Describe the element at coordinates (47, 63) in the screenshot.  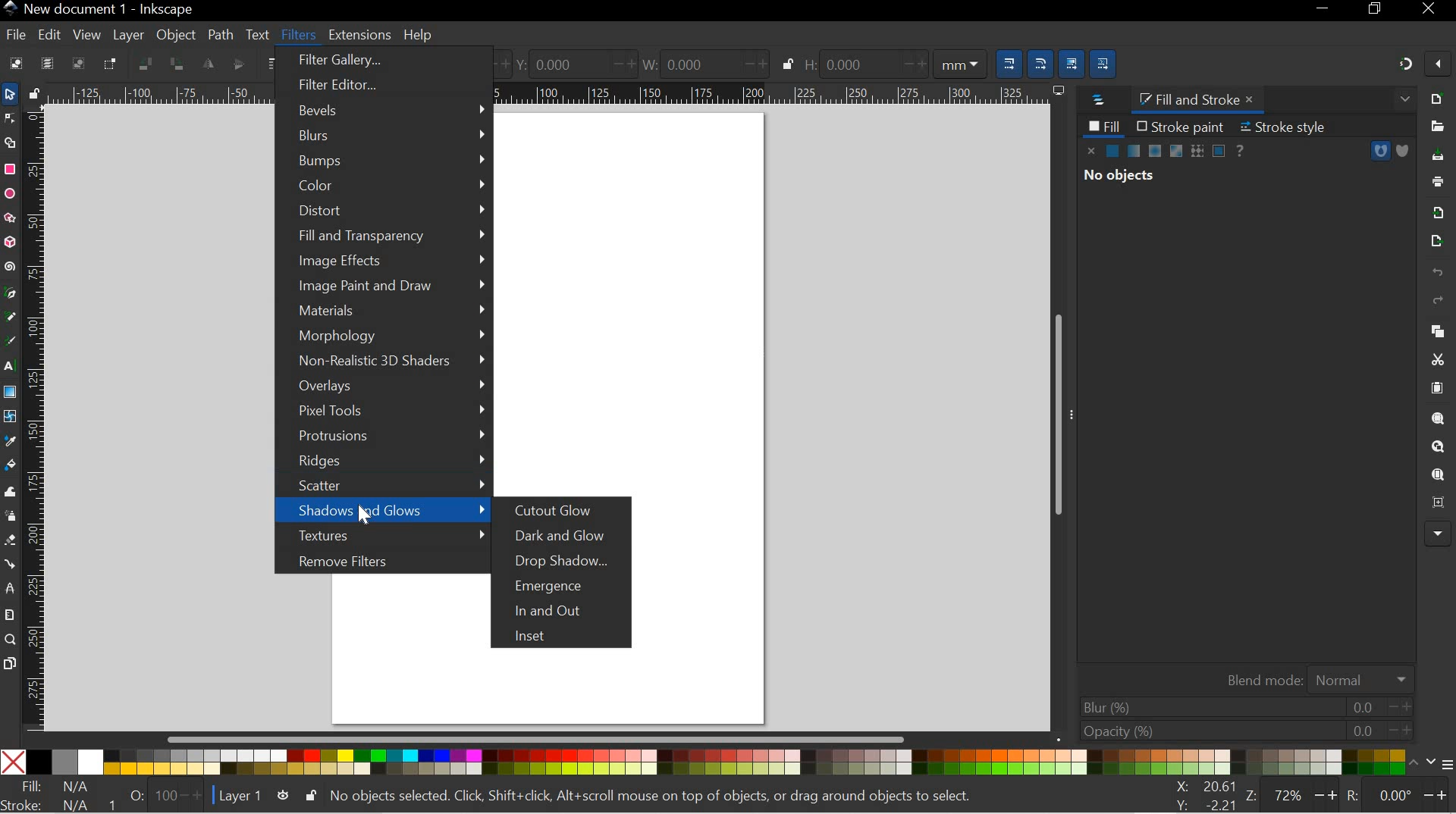
I see `SELECT ALL IN ALL LAYERS` at that location.